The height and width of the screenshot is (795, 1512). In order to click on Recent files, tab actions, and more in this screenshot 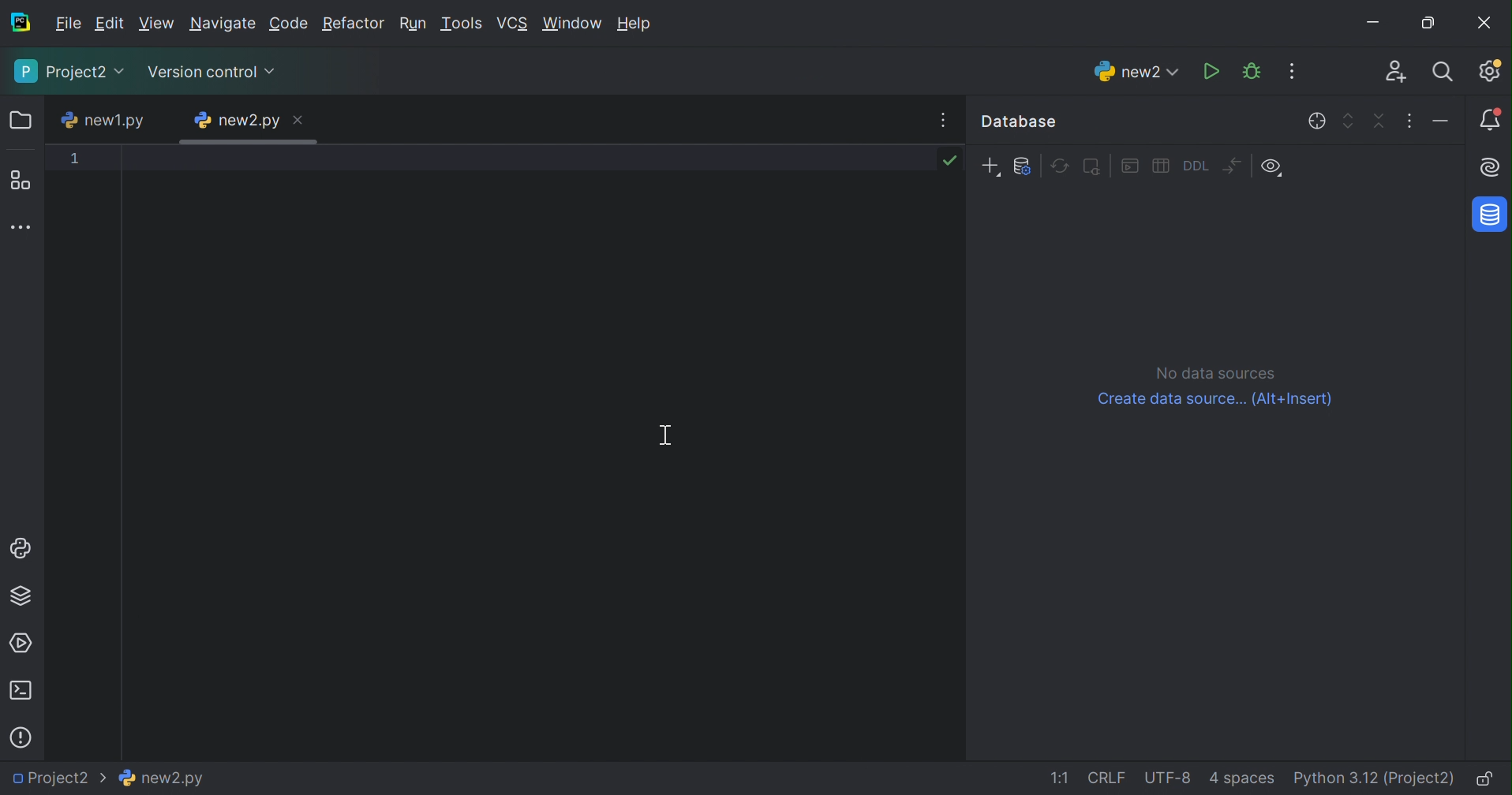, I will do `click(941, 118)`.